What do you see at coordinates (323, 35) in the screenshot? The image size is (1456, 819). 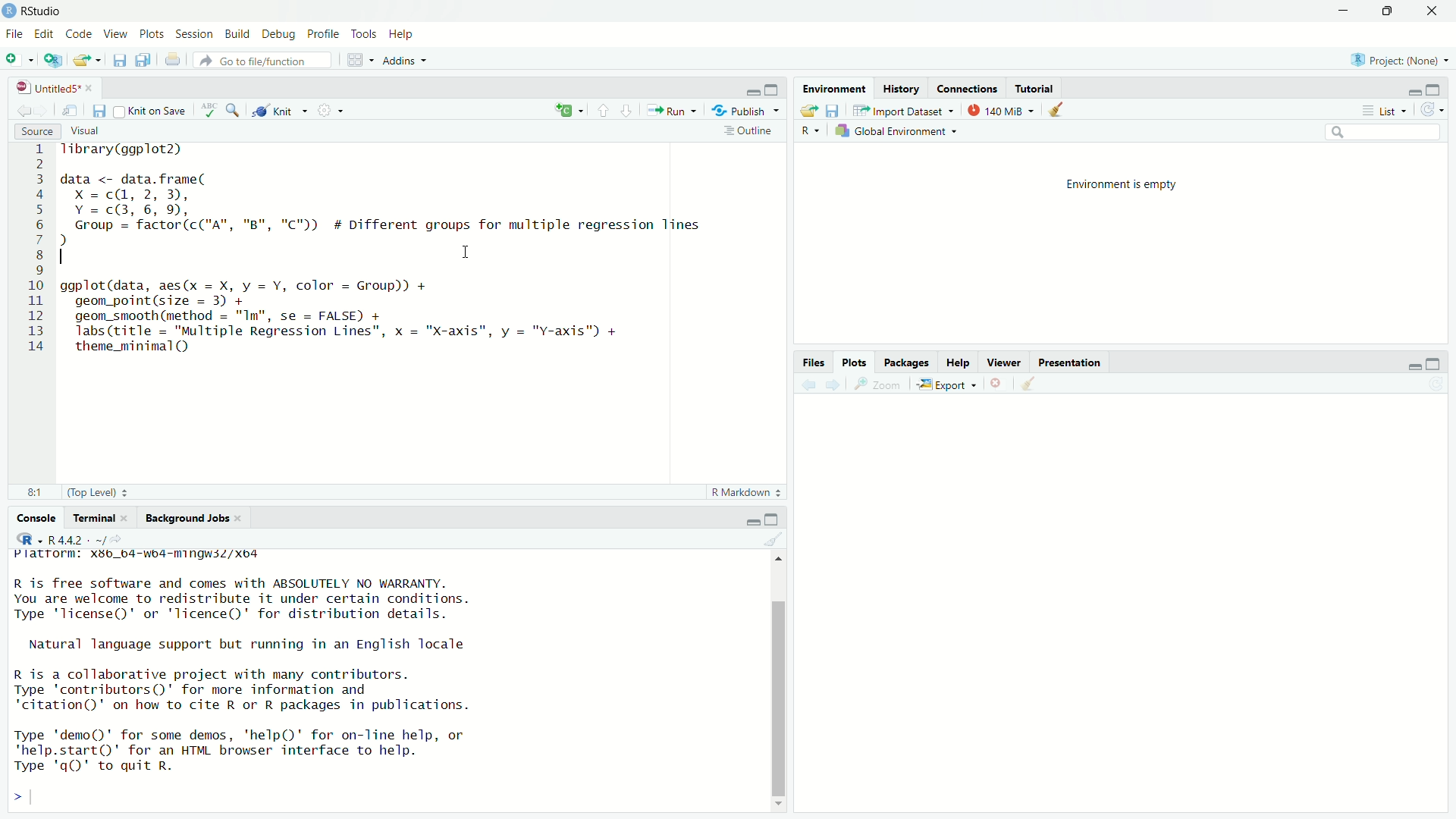 I see `Profile` at bounding box center [323, 35].